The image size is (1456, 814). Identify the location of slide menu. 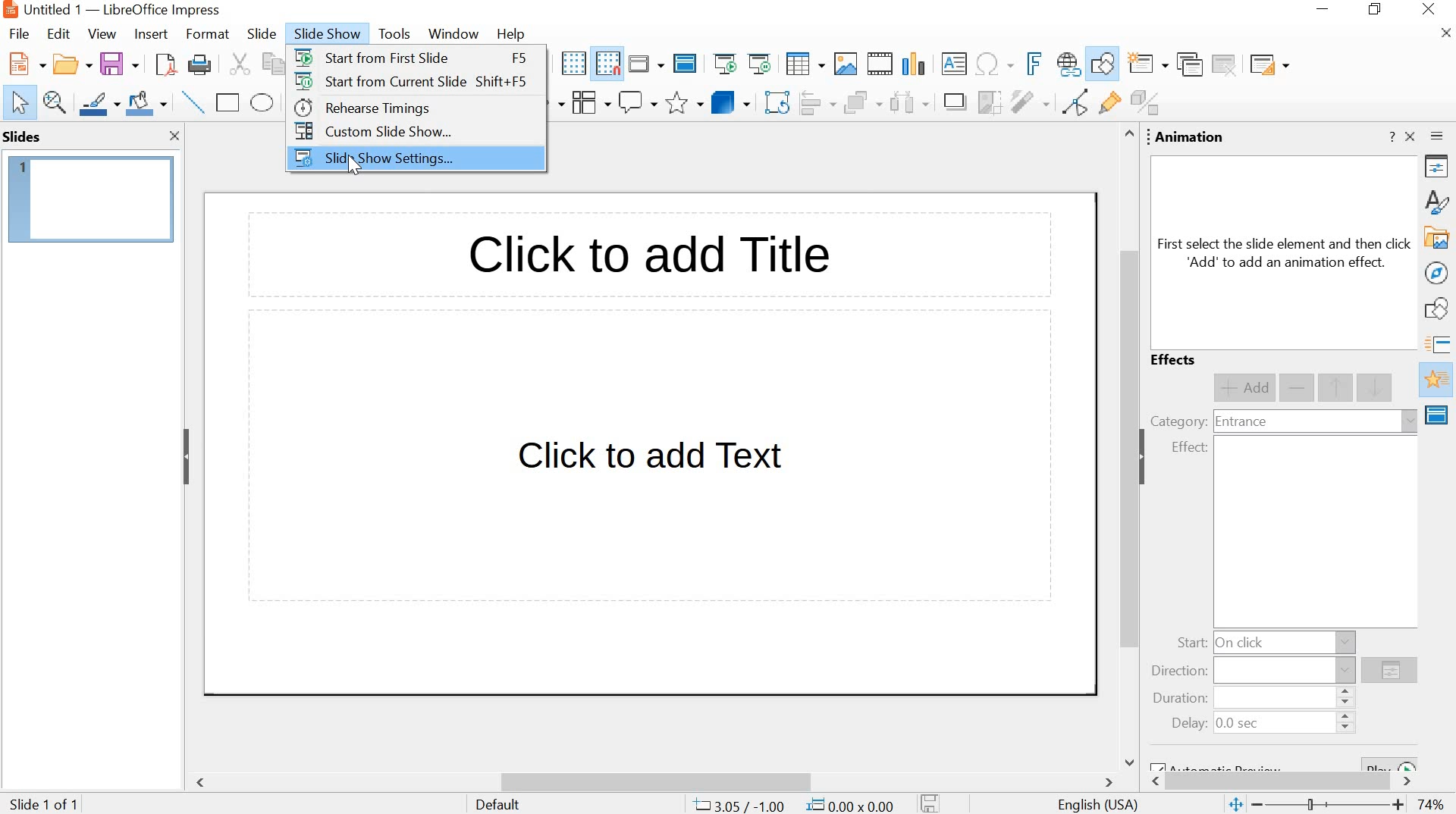
(260, 34).